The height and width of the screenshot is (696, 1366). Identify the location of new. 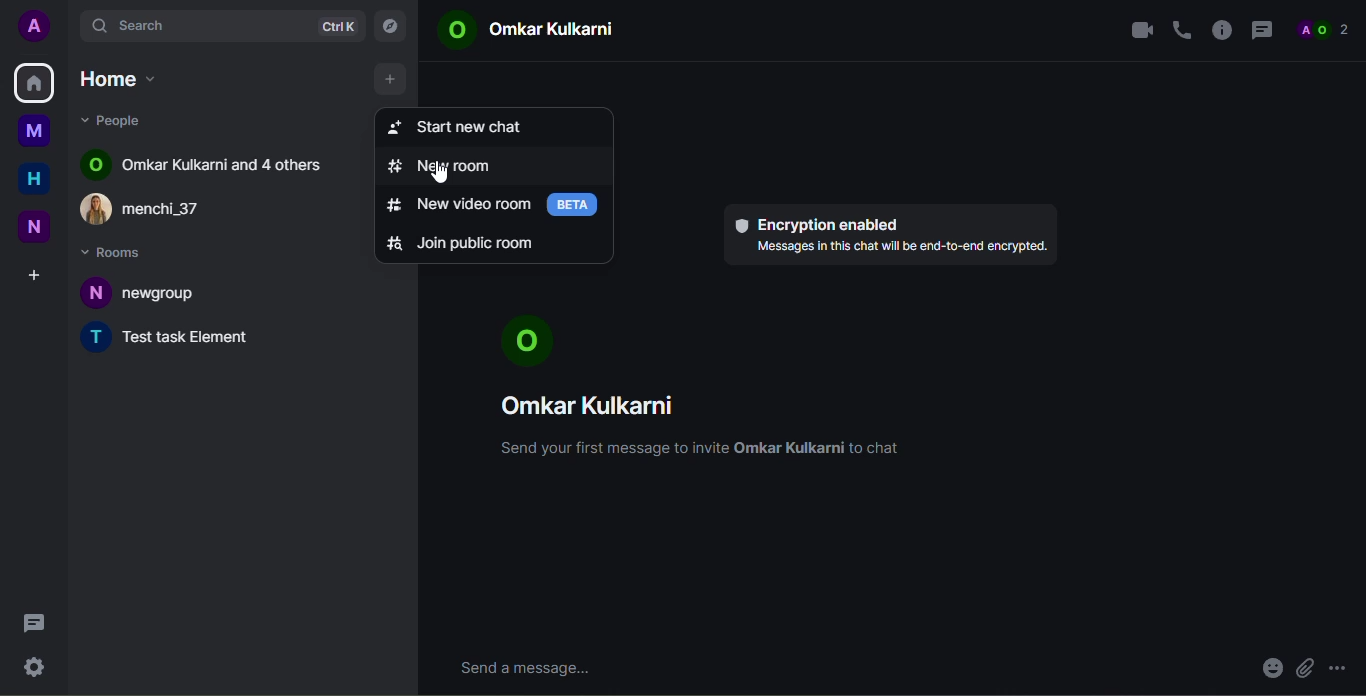
(34, 228).